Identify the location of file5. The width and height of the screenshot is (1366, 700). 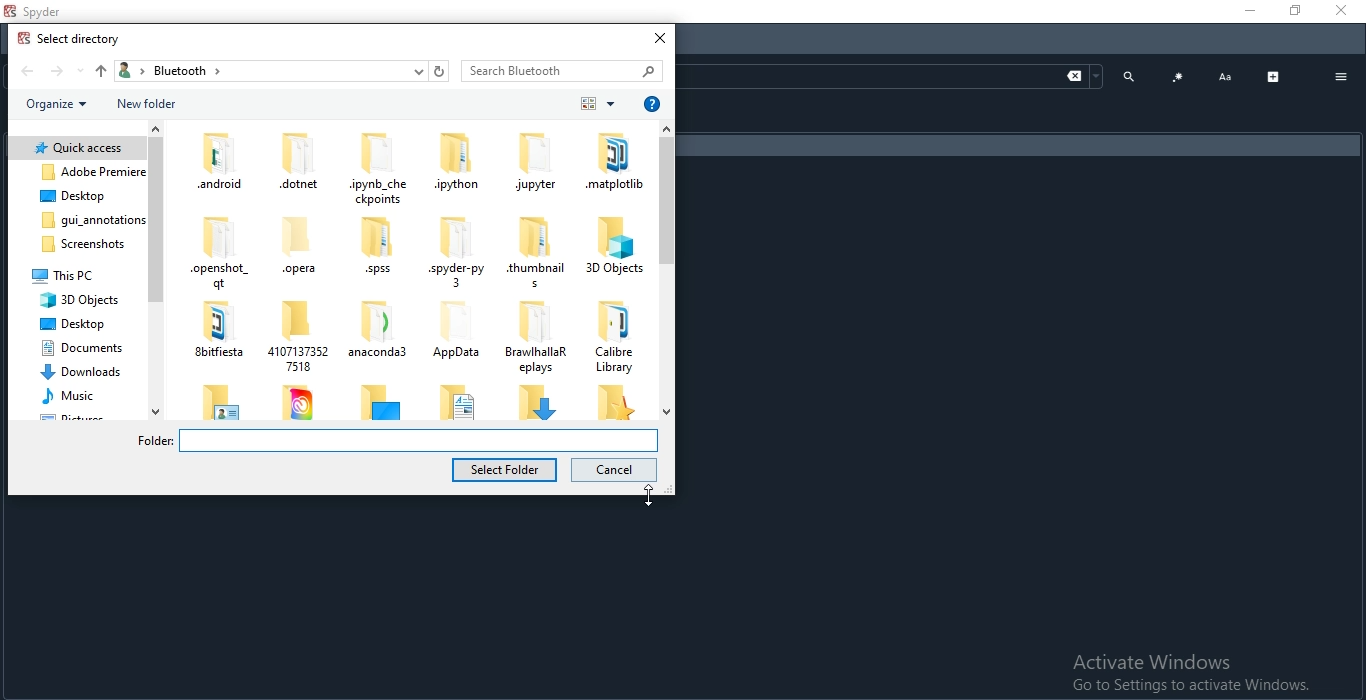
(78, 245).